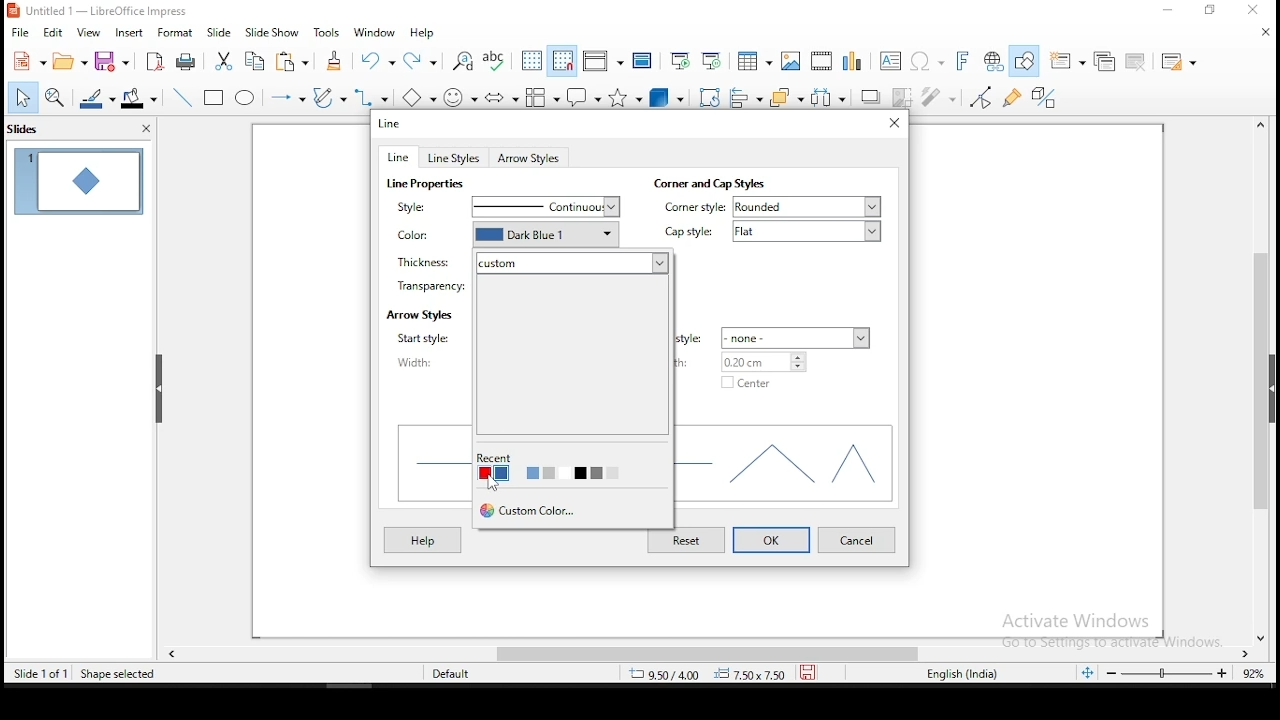 The height and width of the screenshot is (720, 1280). I want to click on flowchart, so click(543, 97).